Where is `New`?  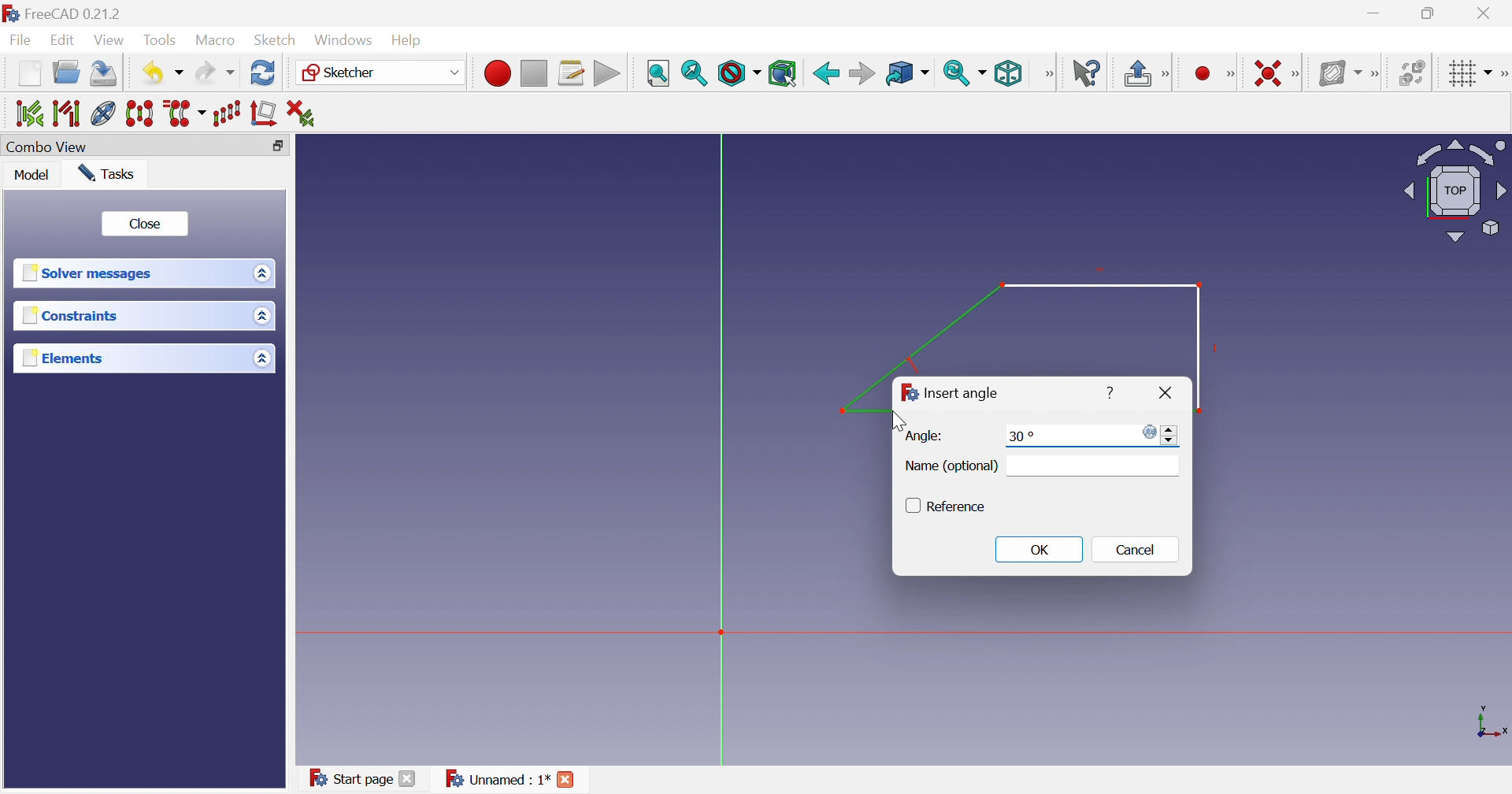 New is located at coordinates (29, 77).